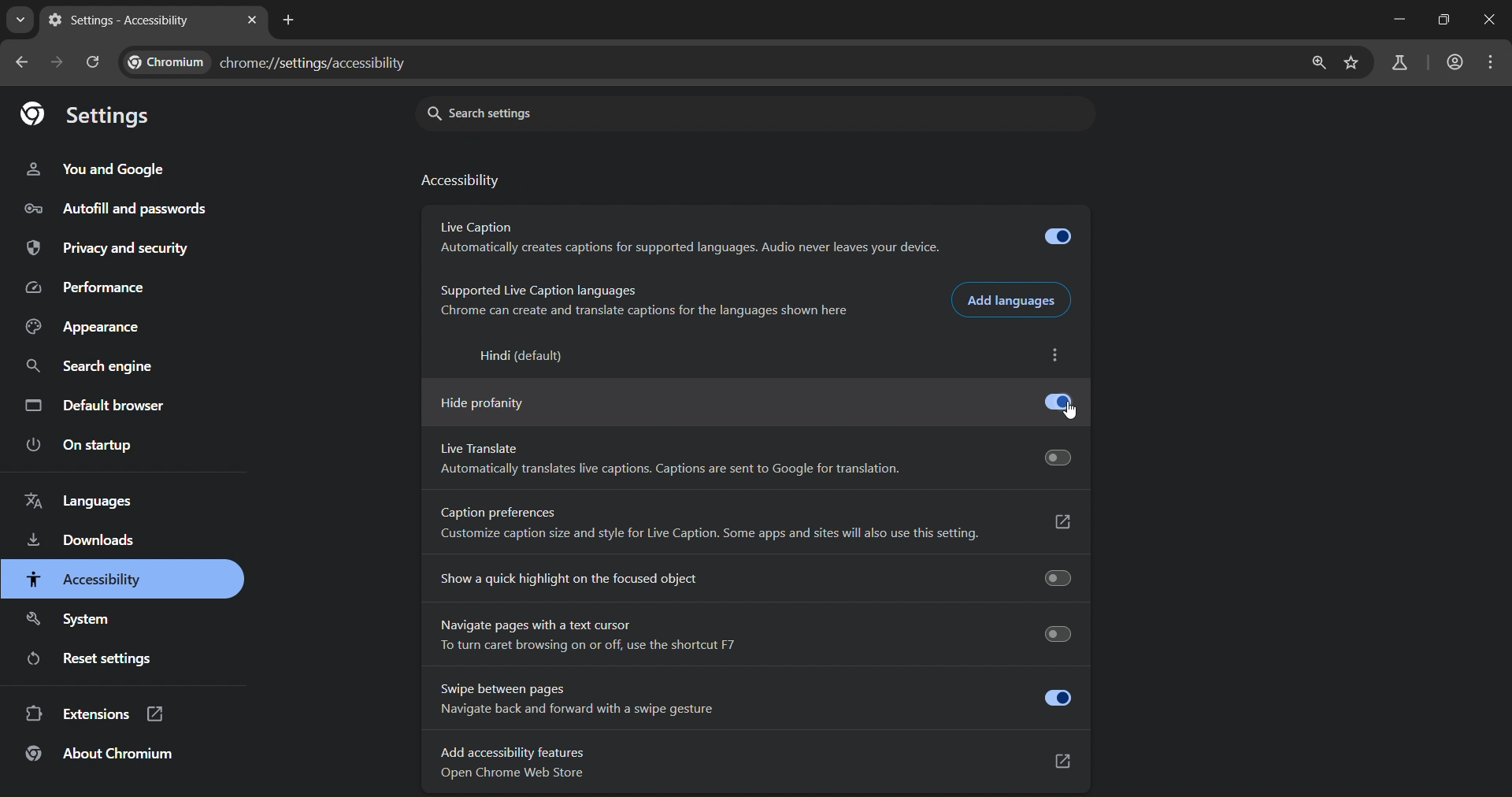 Image resolution: width=1512 pixels, height=797 pixels. Describe the element at coordinates (1490, 20) in the screenshot. I see `close` at that location.